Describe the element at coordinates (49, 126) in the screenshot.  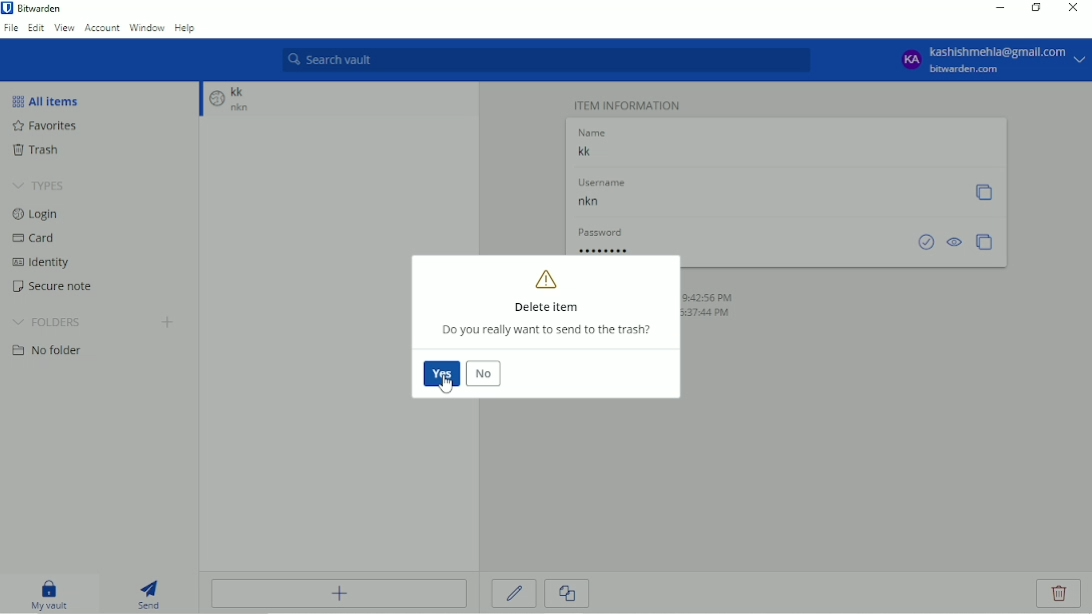
I see `Favorites` at that location.